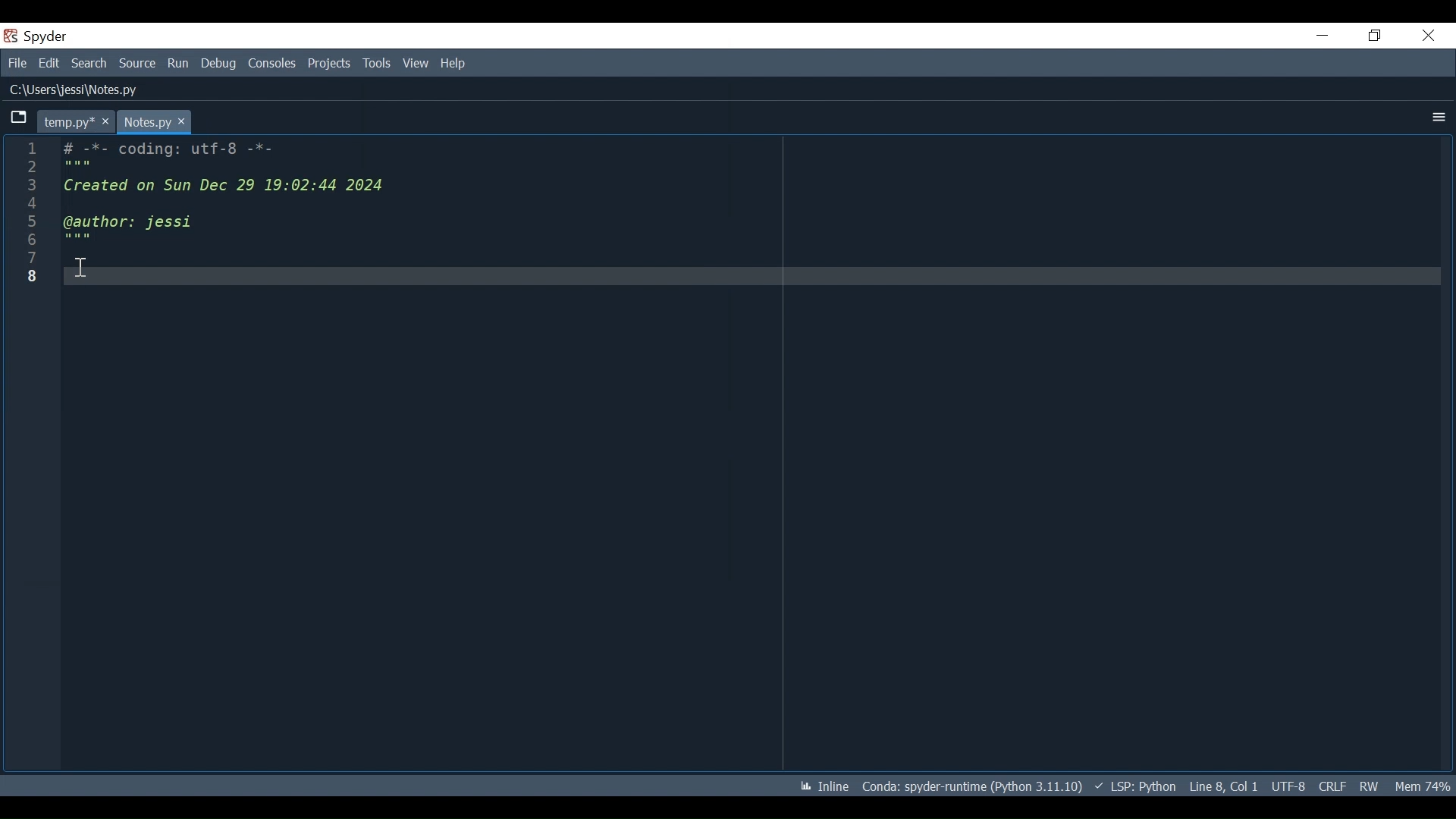 The image size is (1456, 819). What do you see at coordinates (61, 39) in the screenshot?
I see `spyder` at bounding box center [61, 39].